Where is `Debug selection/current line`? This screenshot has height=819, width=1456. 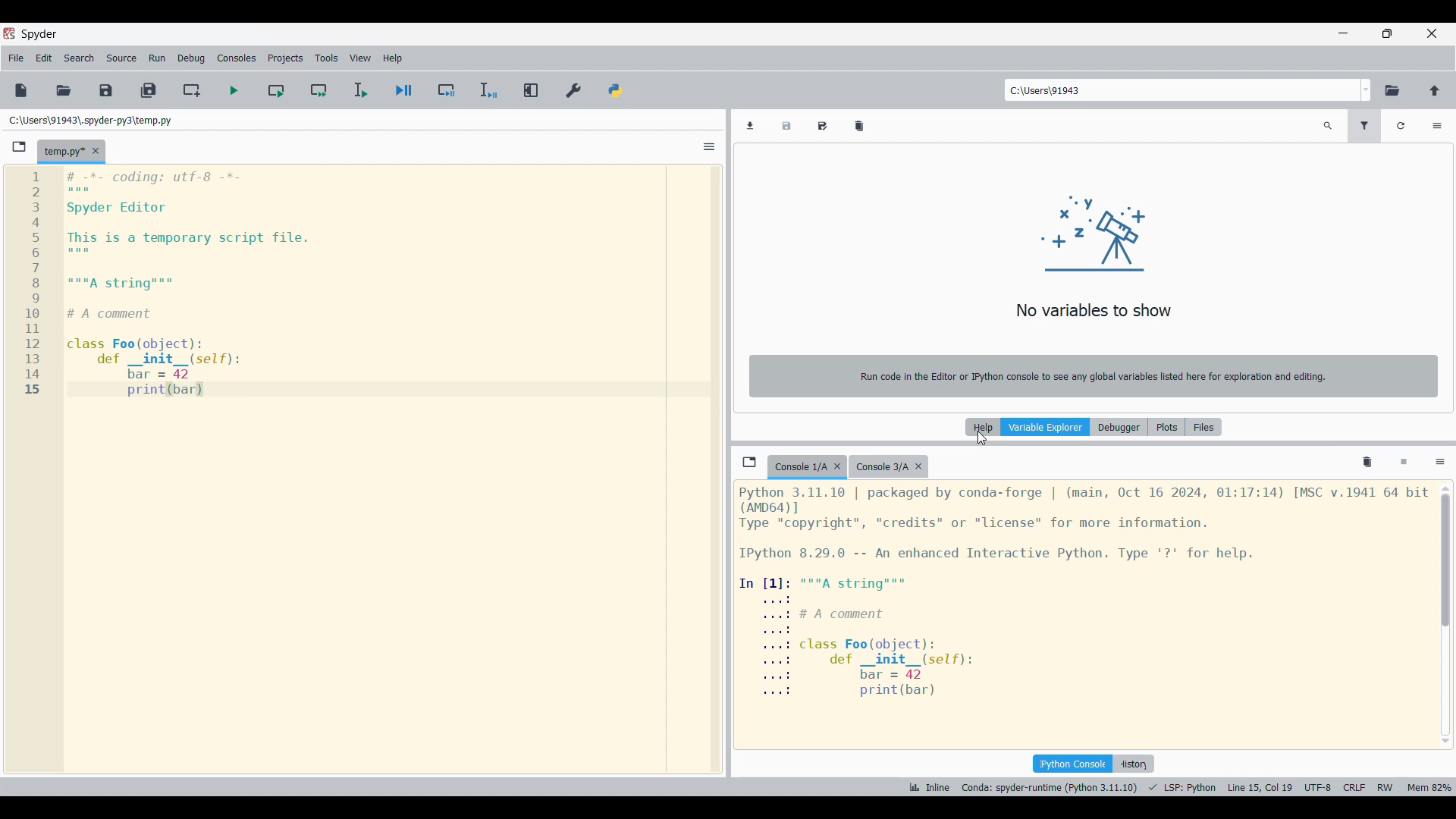 Debug selection/current line is located at coordinates (488, 90).